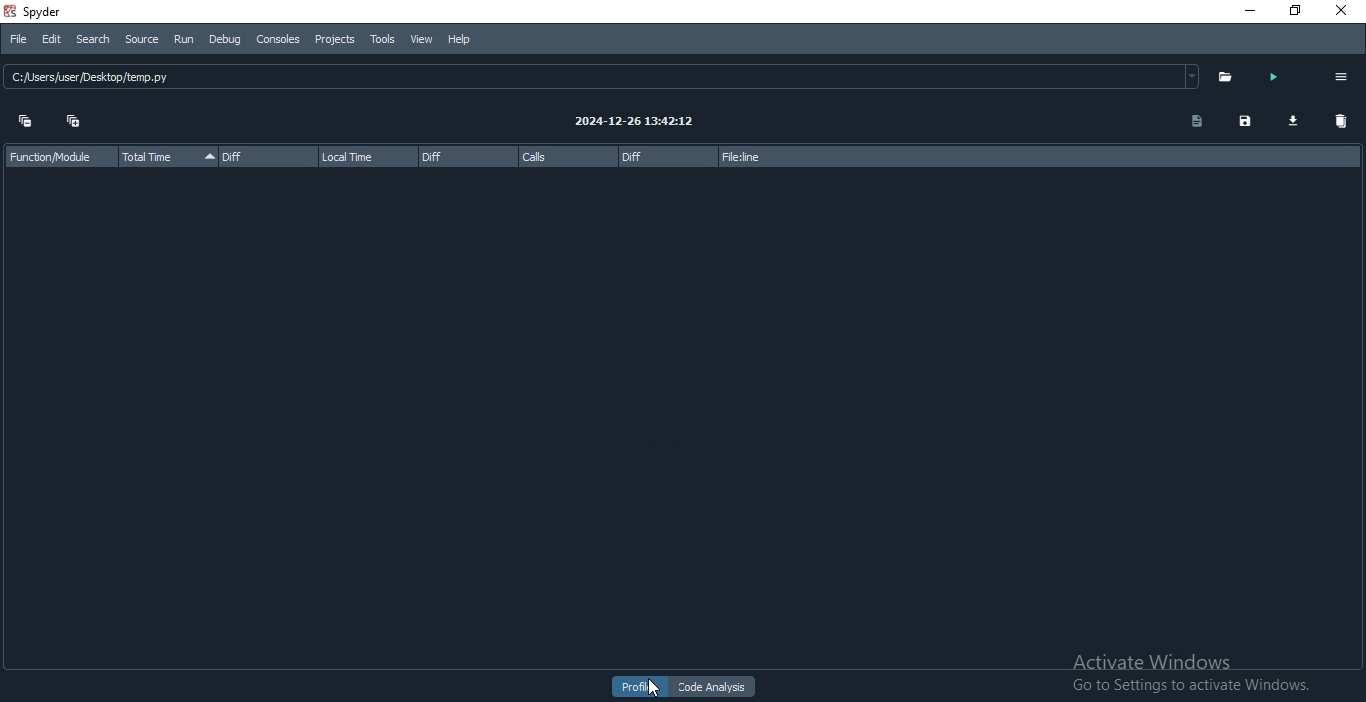 Image resolution: width=1366 pixels, height=702 pixels. I want to click on Help, so click(465, 36).